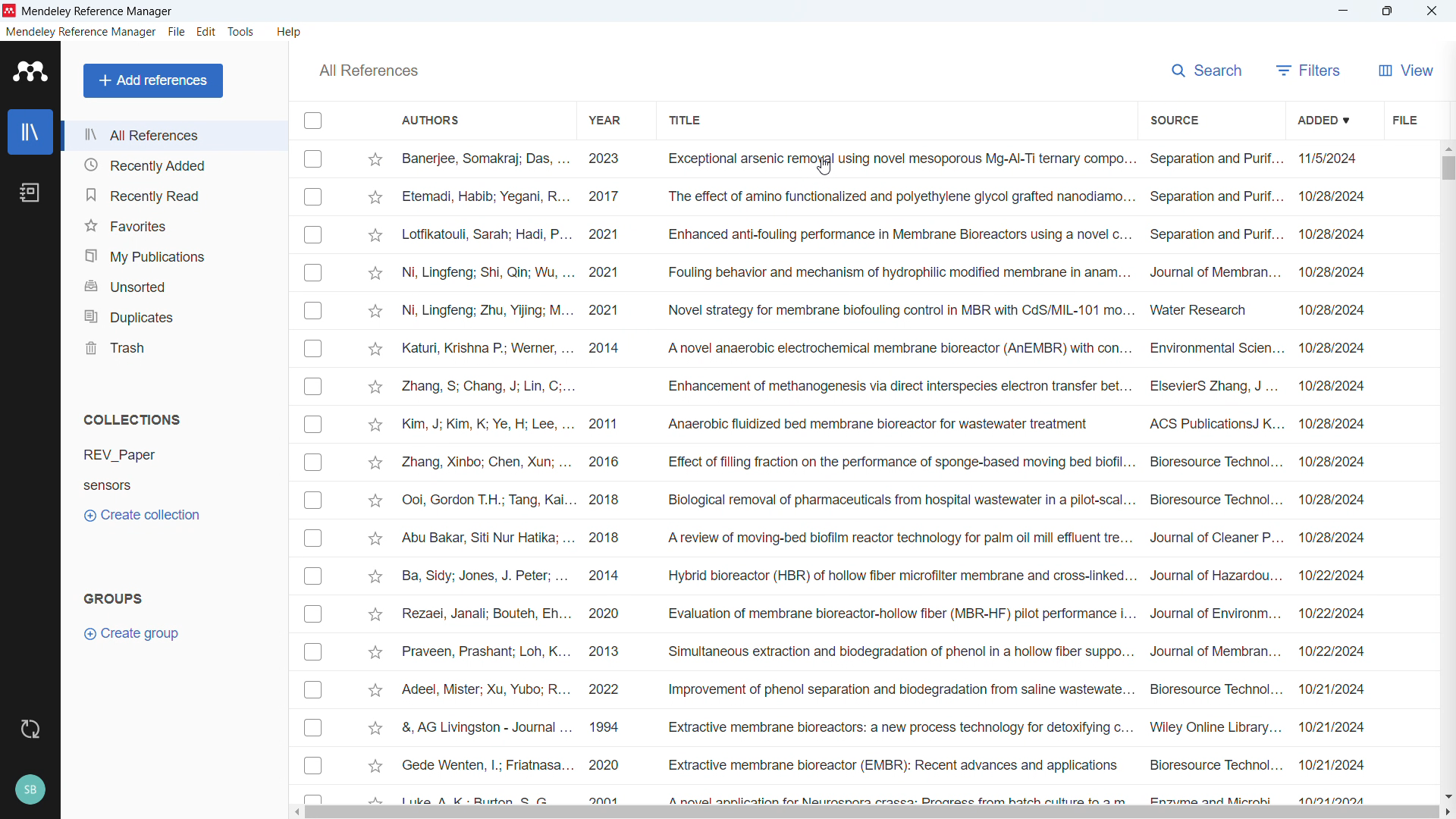 The width and height of the screenshot is (1456, 819). Describe the element at coordinates (607, 350) in the screenshot. I see `2014` at that location.